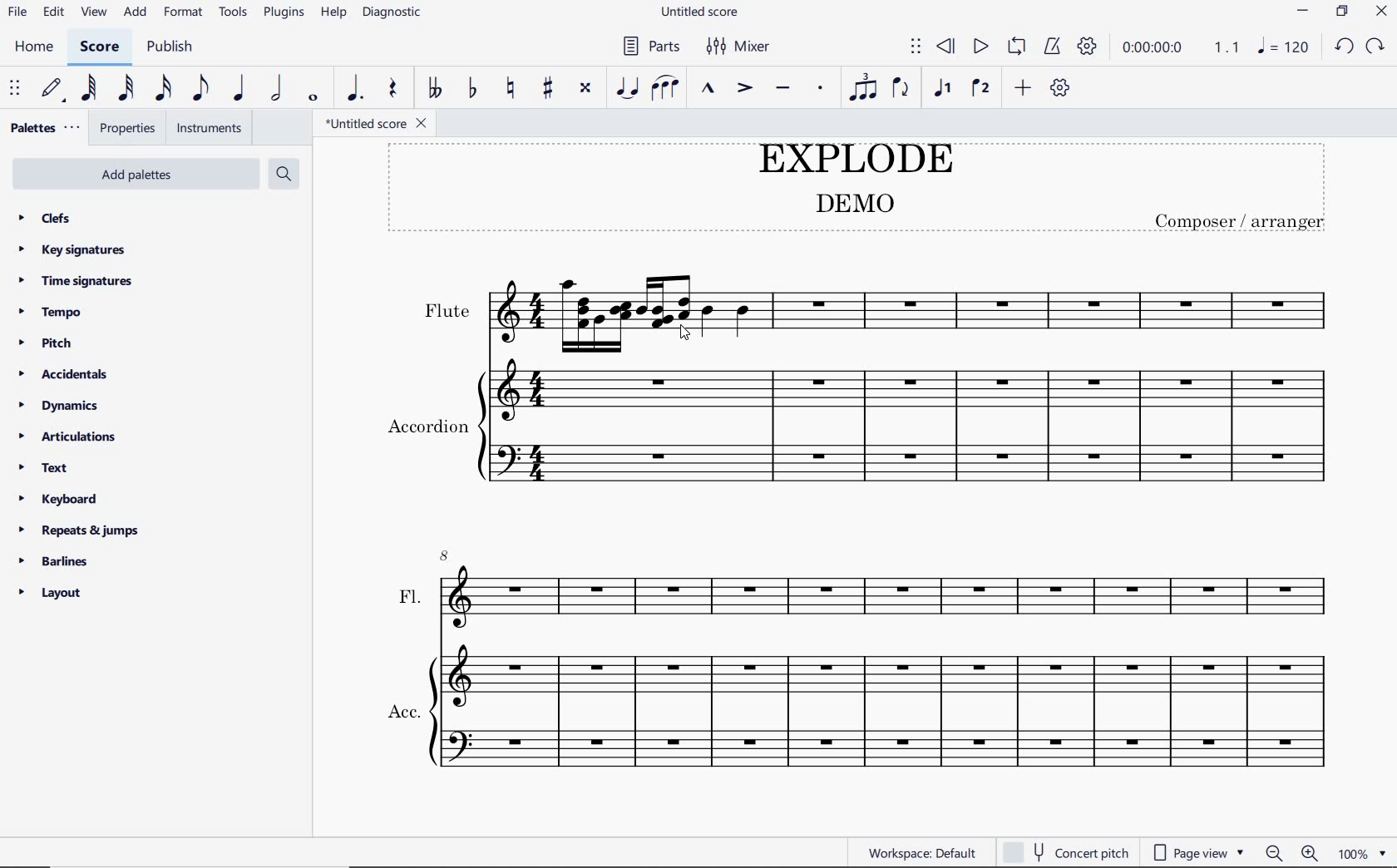 This screenshot has width=1397, height=868. Describe the element at coordinates (862, 713) in the screenshot. I see `Acc.` at that location.